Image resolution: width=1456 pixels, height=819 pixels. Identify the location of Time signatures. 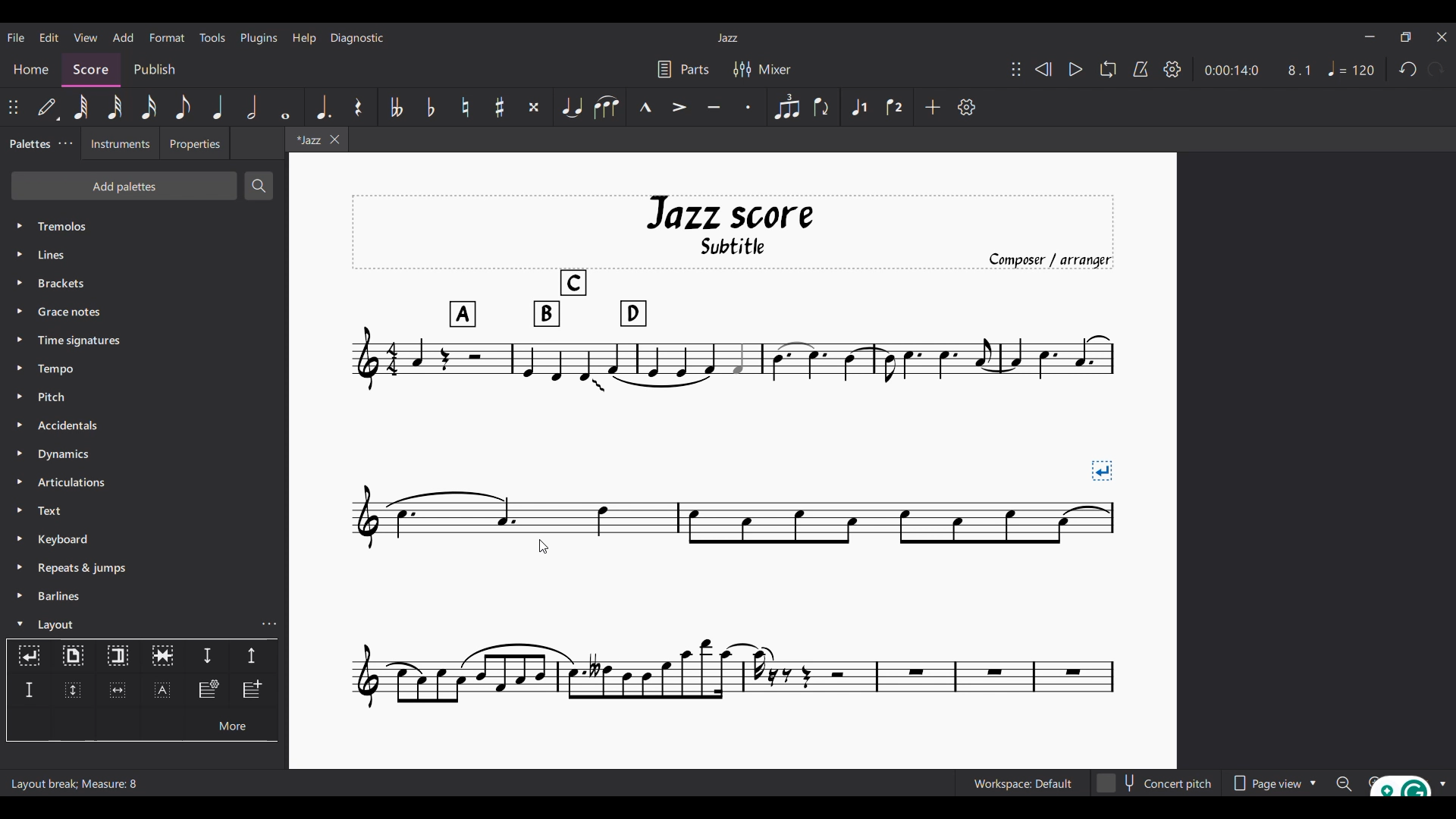
(144, 340).